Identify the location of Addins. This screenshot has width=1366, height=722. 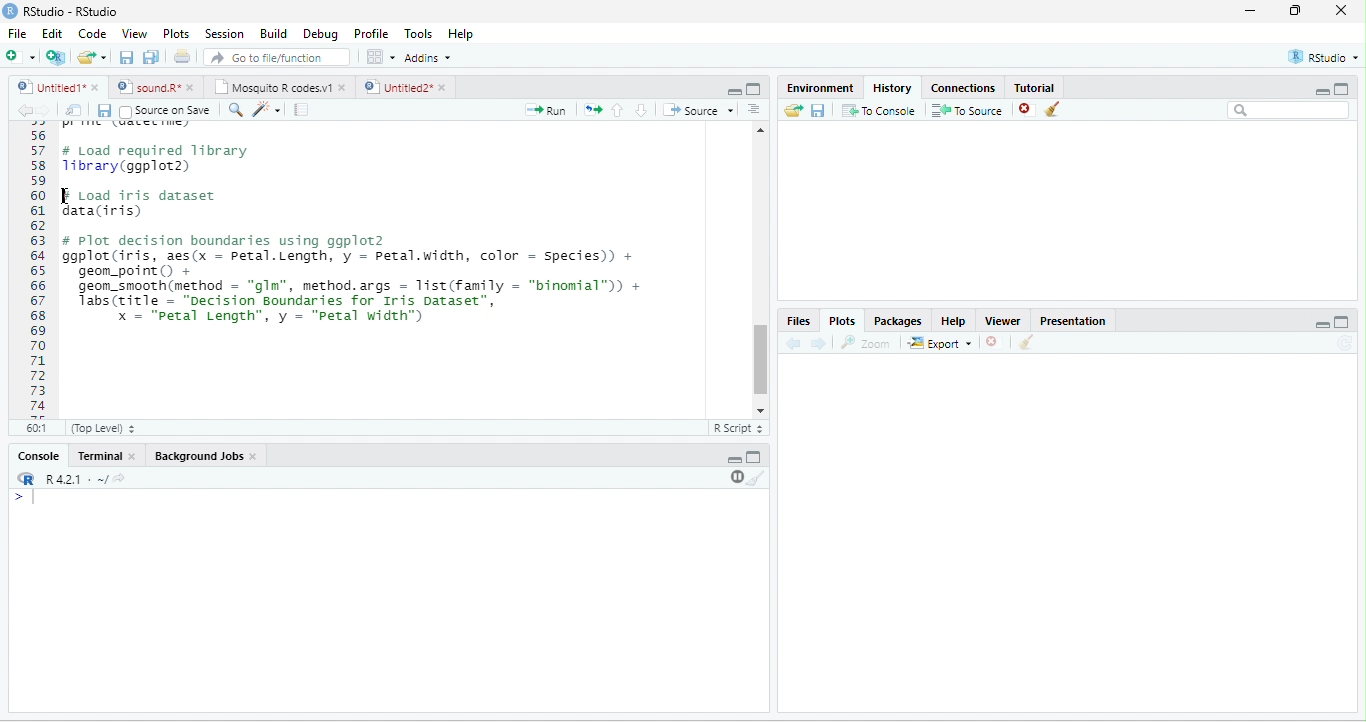
(428, 58).